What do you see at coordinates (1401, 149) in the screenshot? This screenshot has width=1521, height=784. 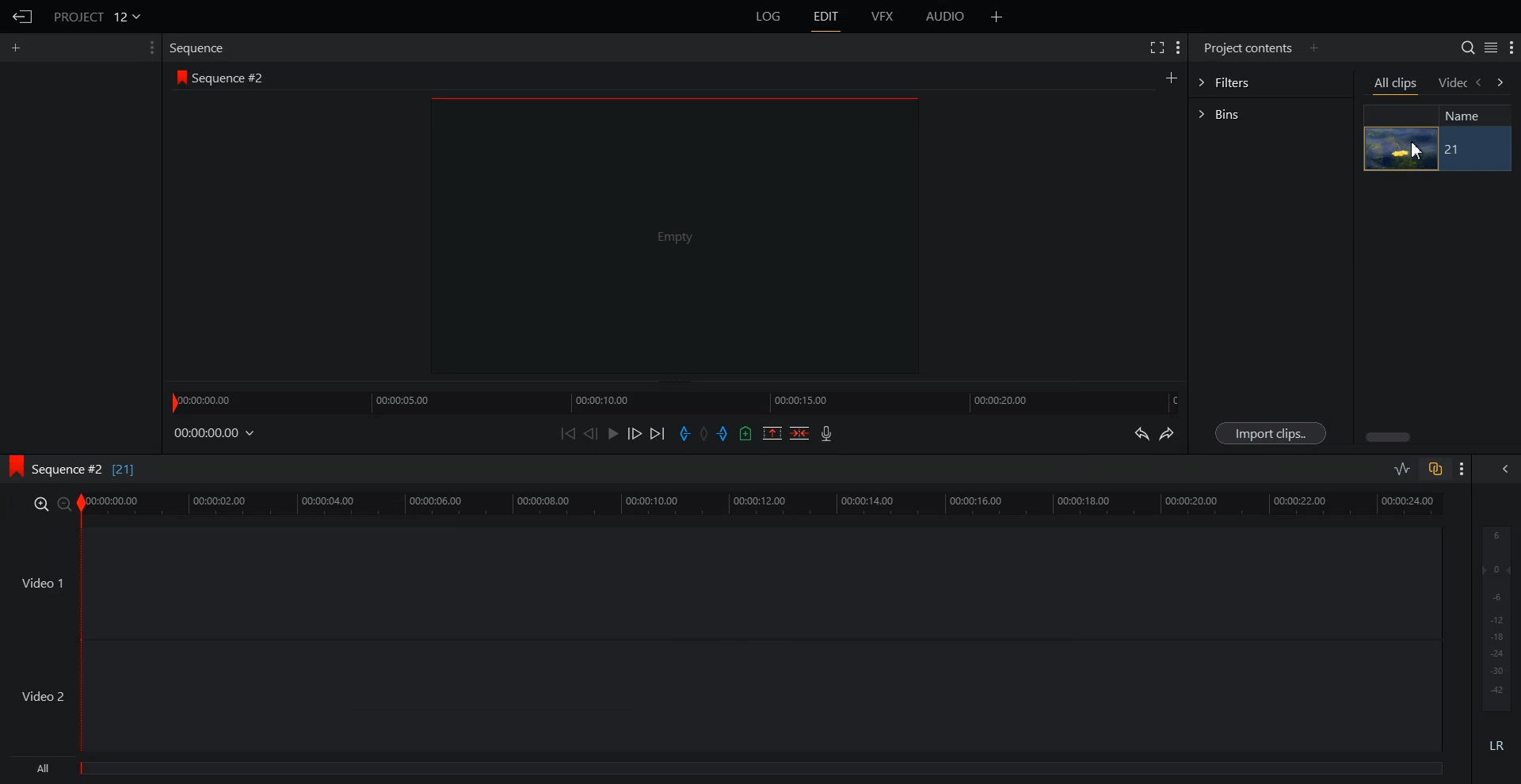 I see `image` at bounding box center [1401, 149].